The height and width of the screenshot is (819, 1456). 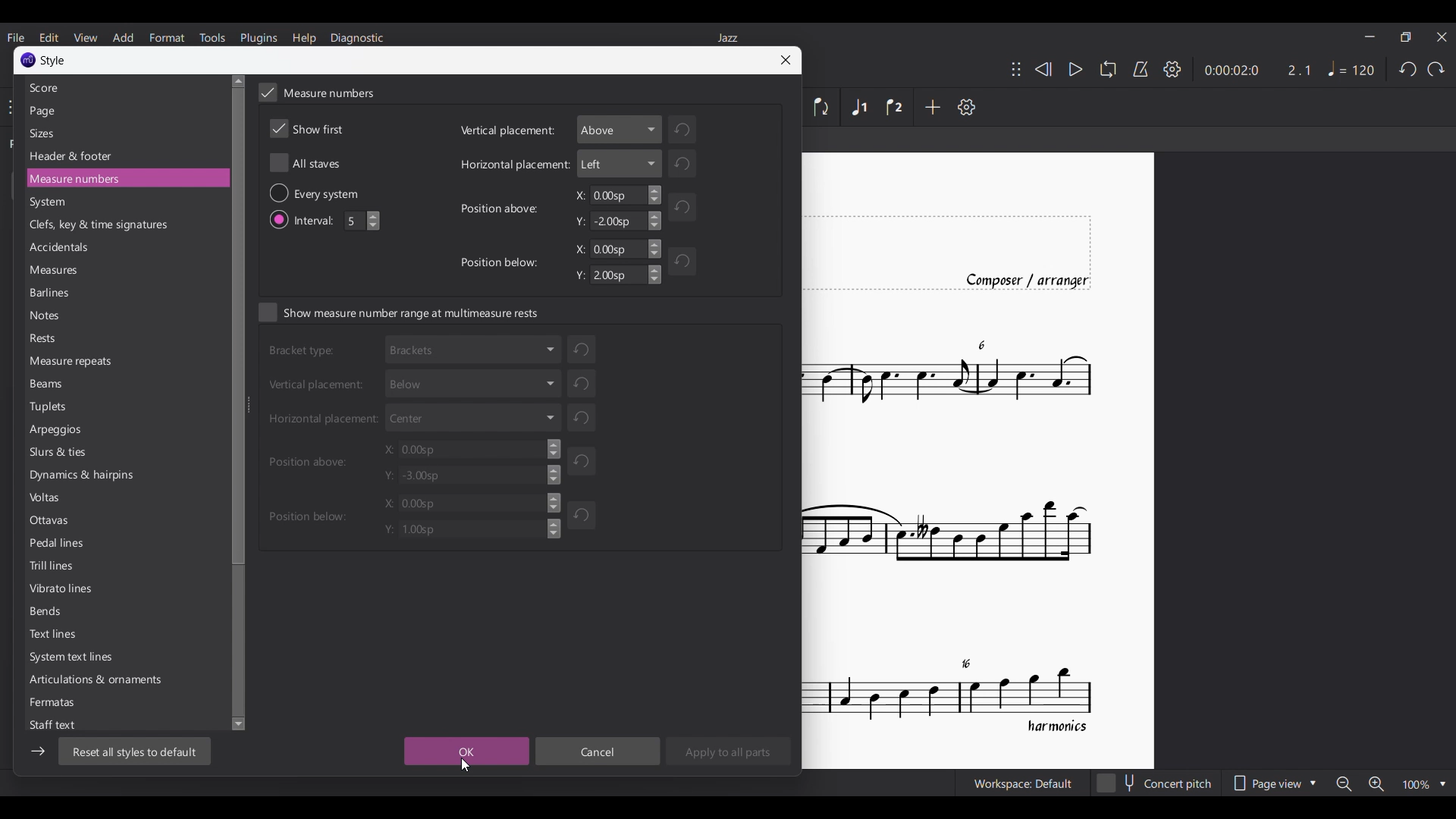 I want to click on System, so click(x=76, y=659).